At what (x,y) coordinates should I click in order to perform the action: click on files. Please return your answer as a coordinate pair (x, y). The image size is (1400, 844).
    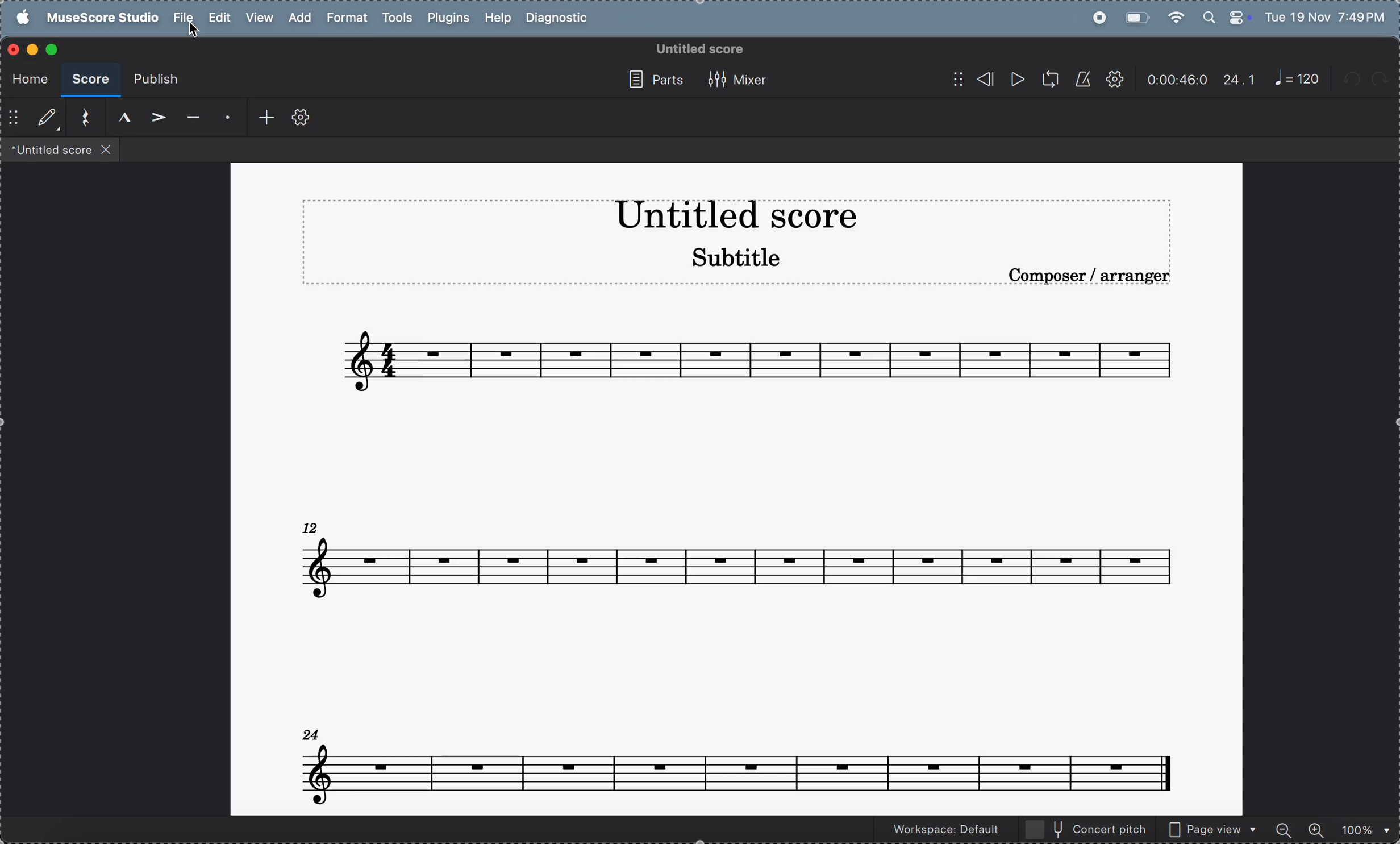
    Looking at the image, I should click on (61, 149).